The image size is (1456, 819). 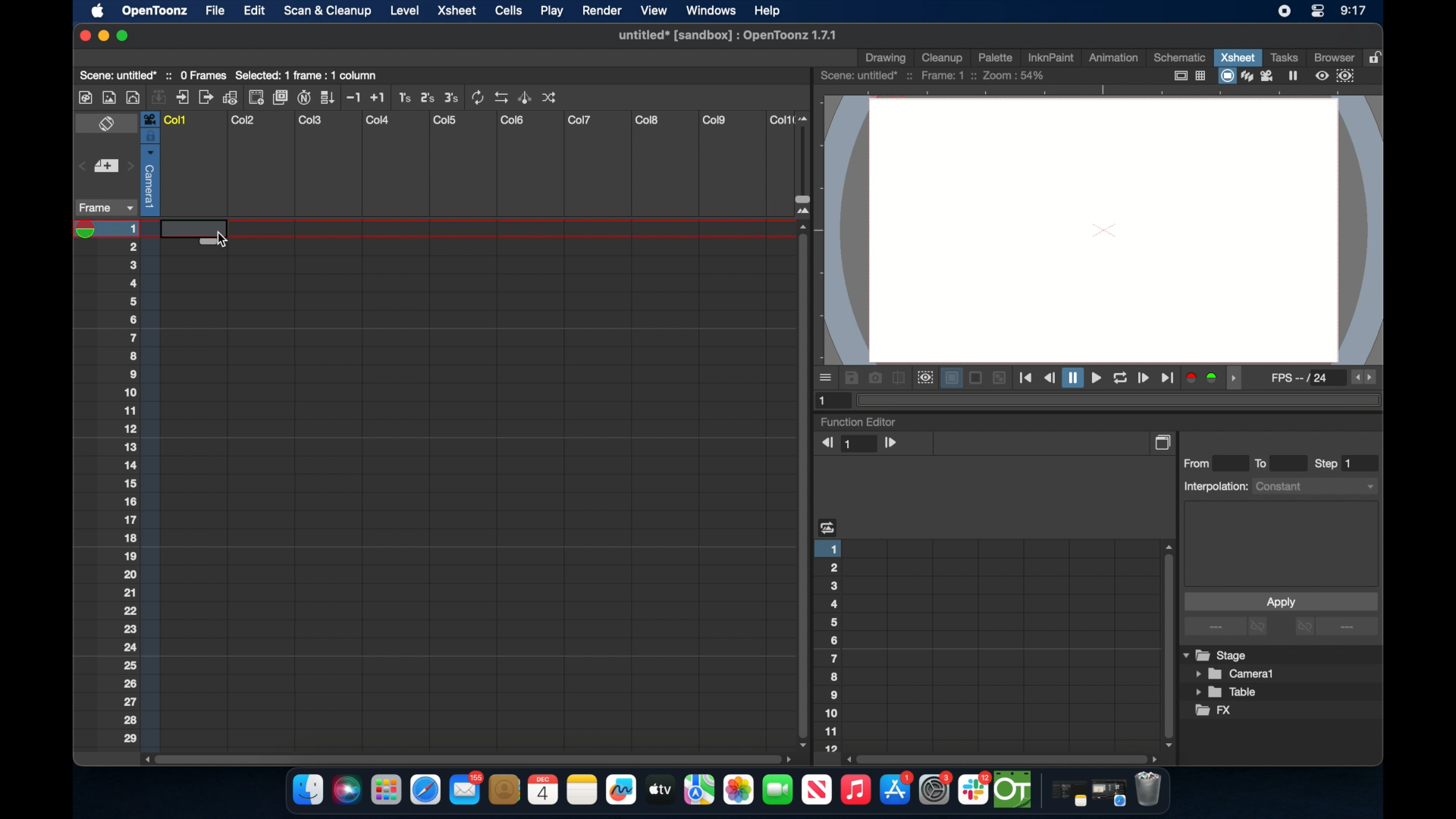 What do you see at coordinates (875, 378) in the screenshot?
I see `snapshot` at bounding box center [875, 378].